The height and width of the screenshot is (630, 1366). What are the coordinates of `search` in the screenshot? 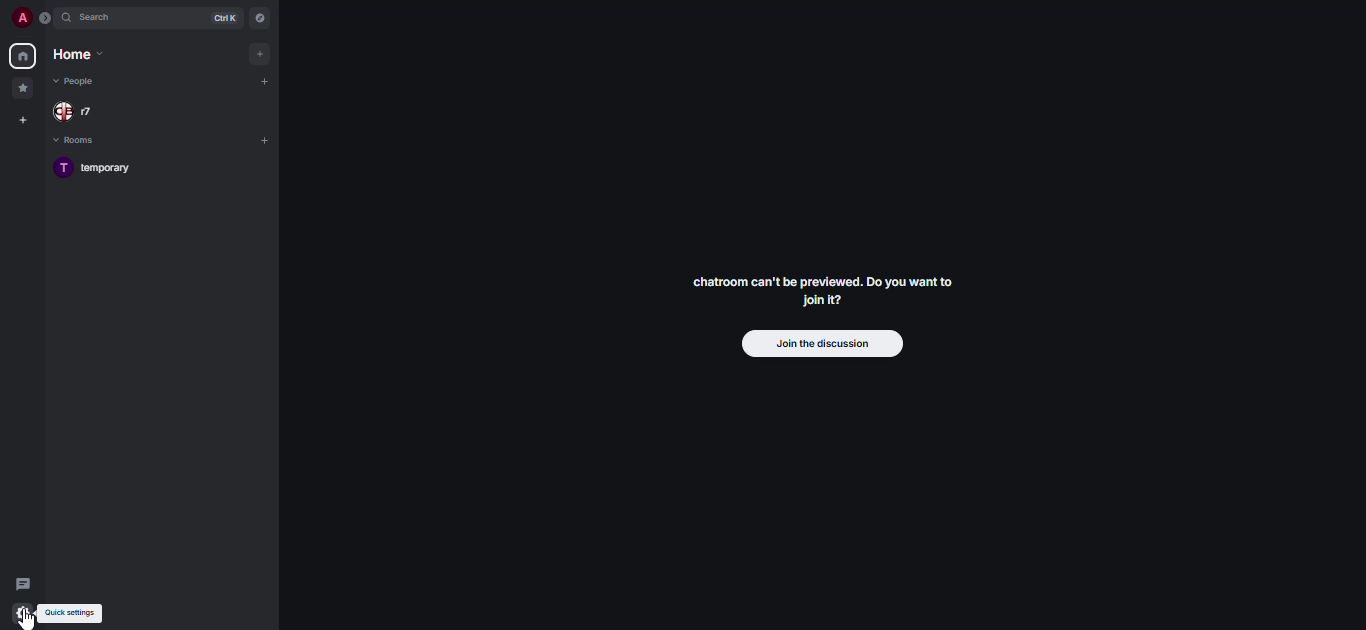 It's located at (92, 19).